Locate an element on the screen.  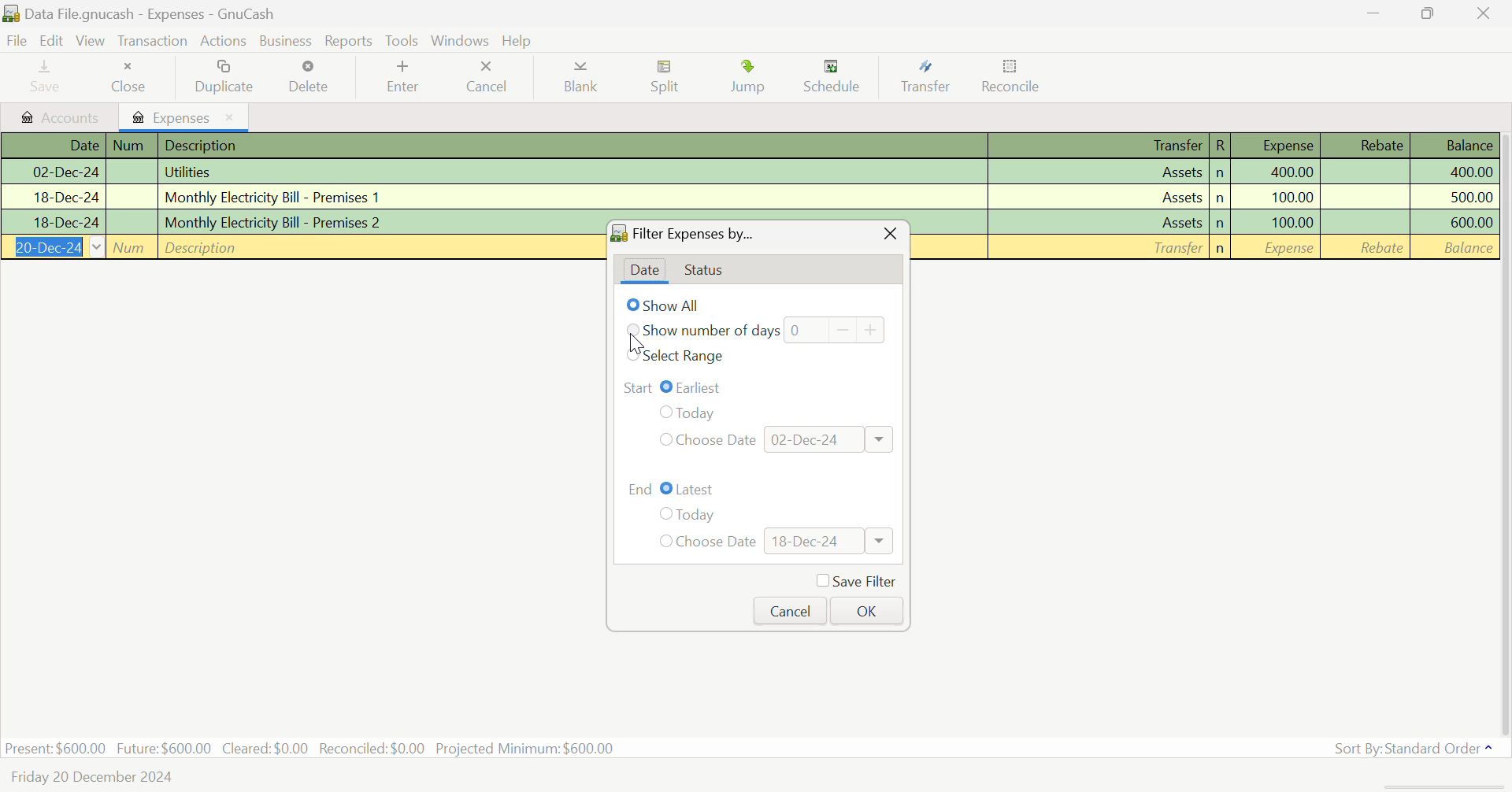
Help is located at coordinates (517, 40).